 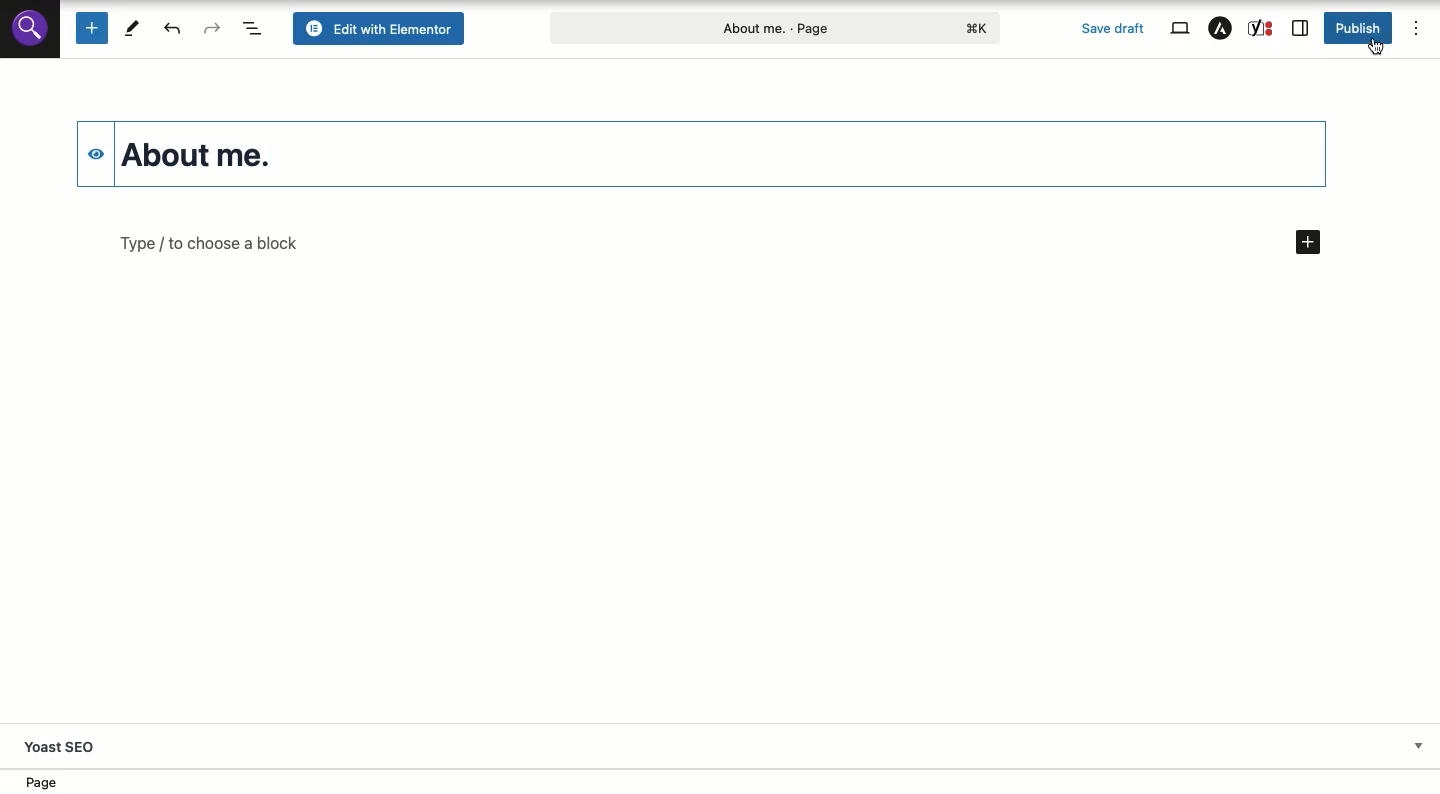 I want to click on Document overview, so click(x=254, y=28).